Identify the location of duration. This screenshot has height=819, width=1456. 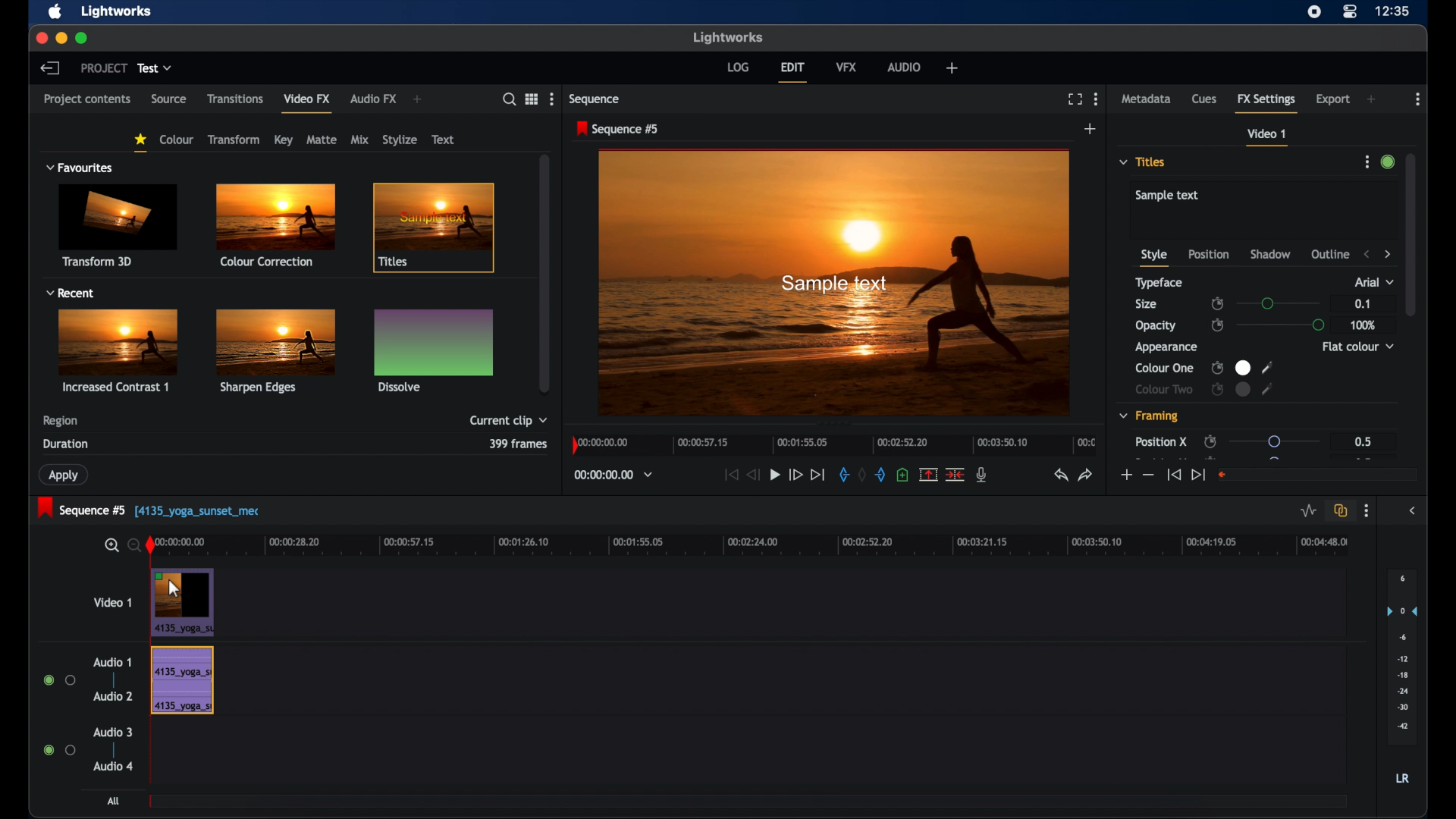
(67, 444).